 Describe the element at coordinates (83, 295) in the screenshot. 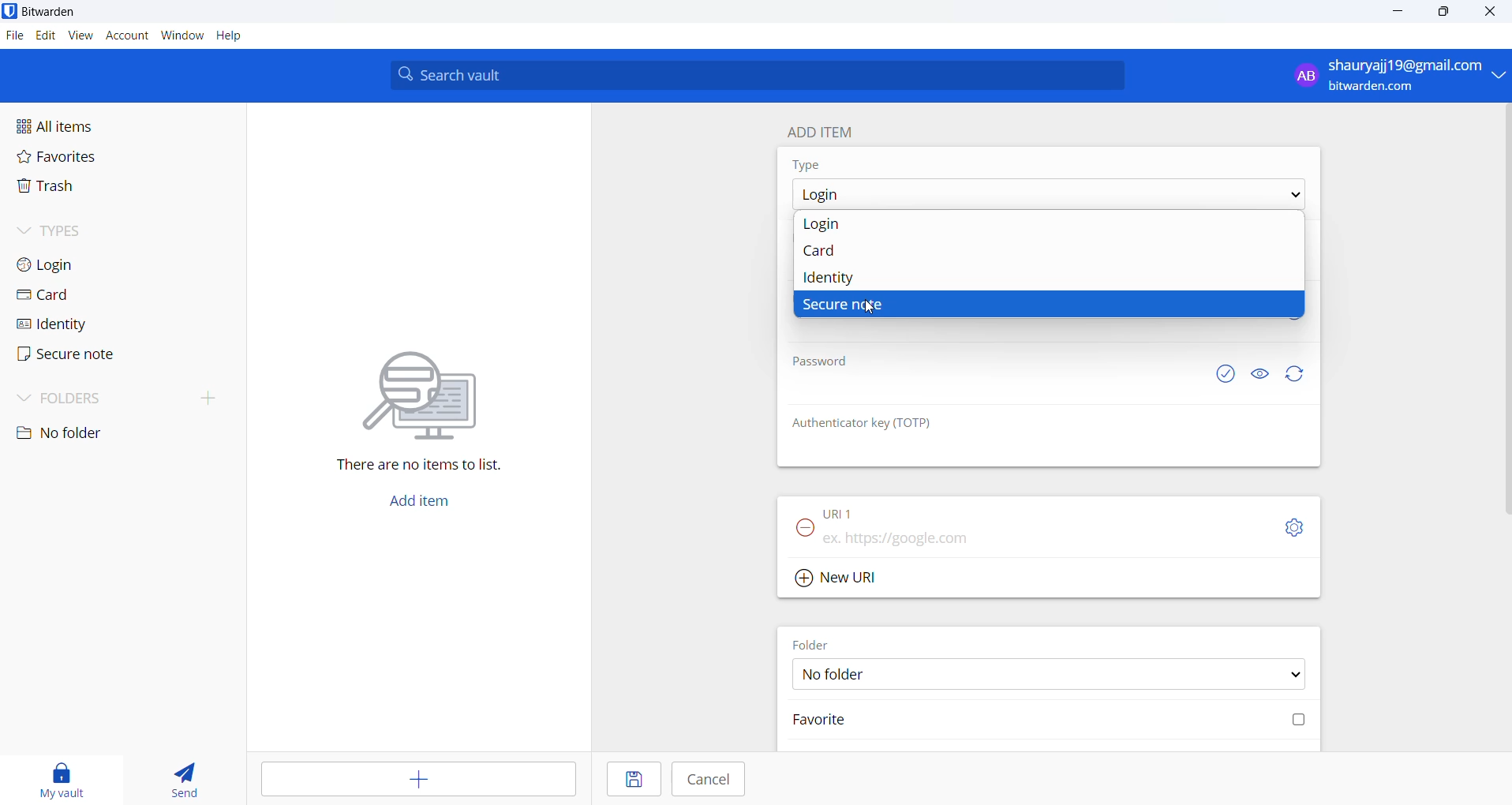

I see `card` at that location.